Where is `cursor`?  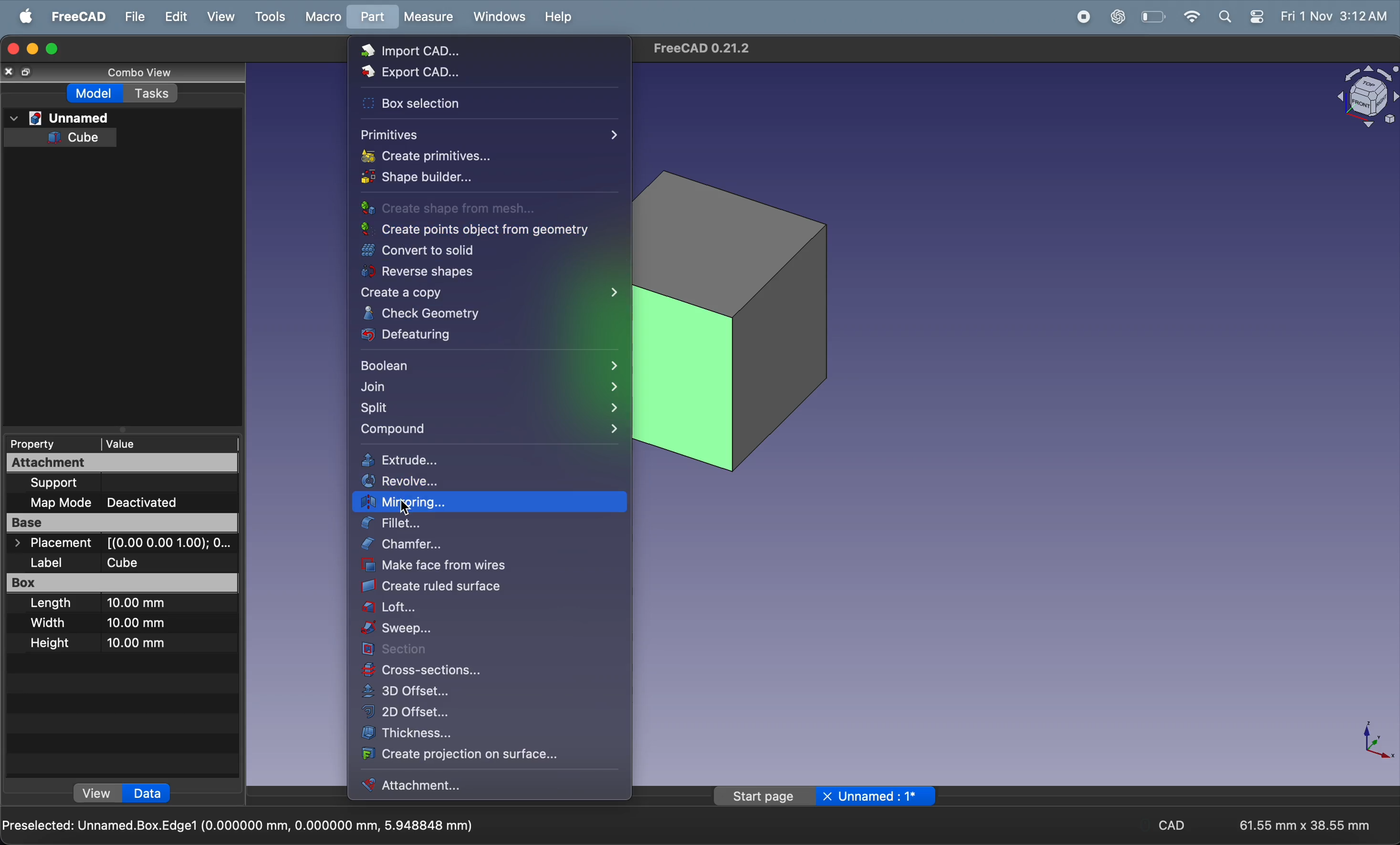
cursor is located at coordinates (406, 509).